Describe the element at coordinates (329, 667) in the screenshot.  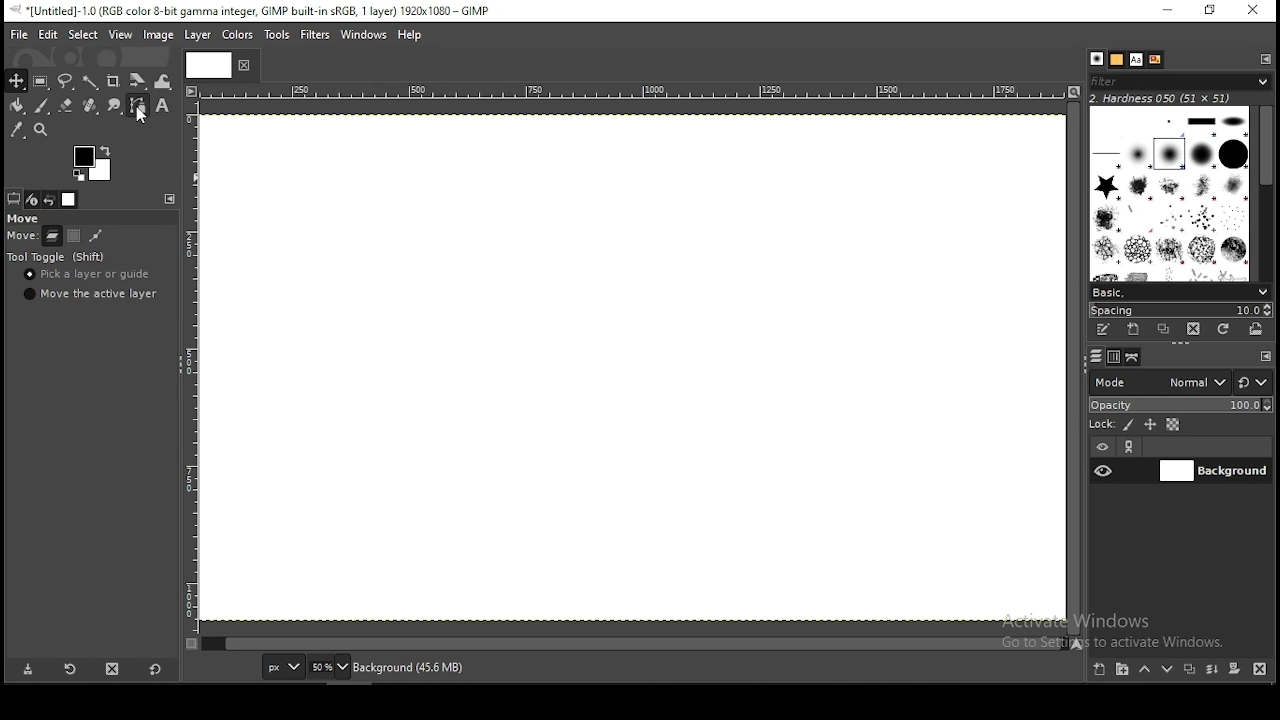
I see `zoom status` at that location.